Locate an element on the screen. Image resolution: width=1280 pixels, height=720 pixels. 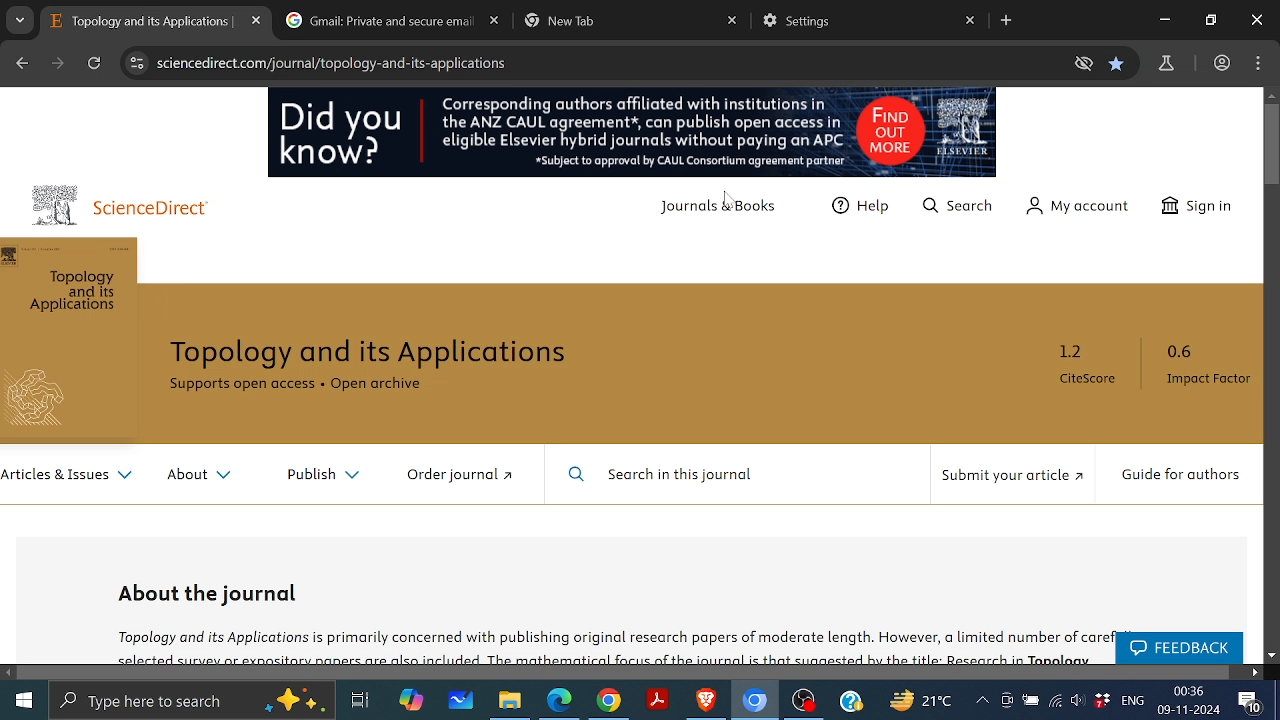
3Topology“and itsApplications logo is located at coordinates (67, 344).